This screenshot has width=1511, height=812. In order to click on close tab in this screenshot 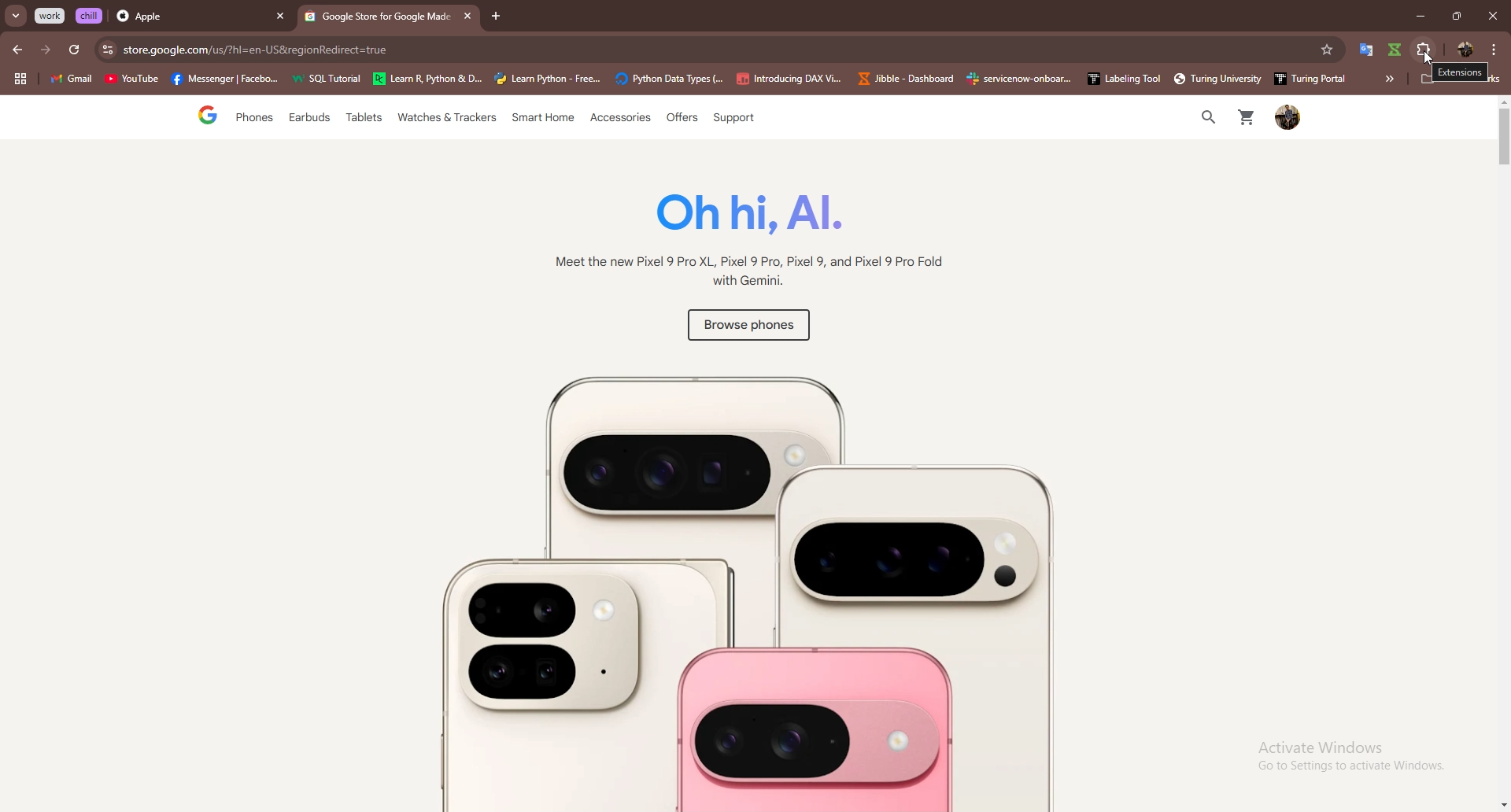, I will do `click(465, 16)`.